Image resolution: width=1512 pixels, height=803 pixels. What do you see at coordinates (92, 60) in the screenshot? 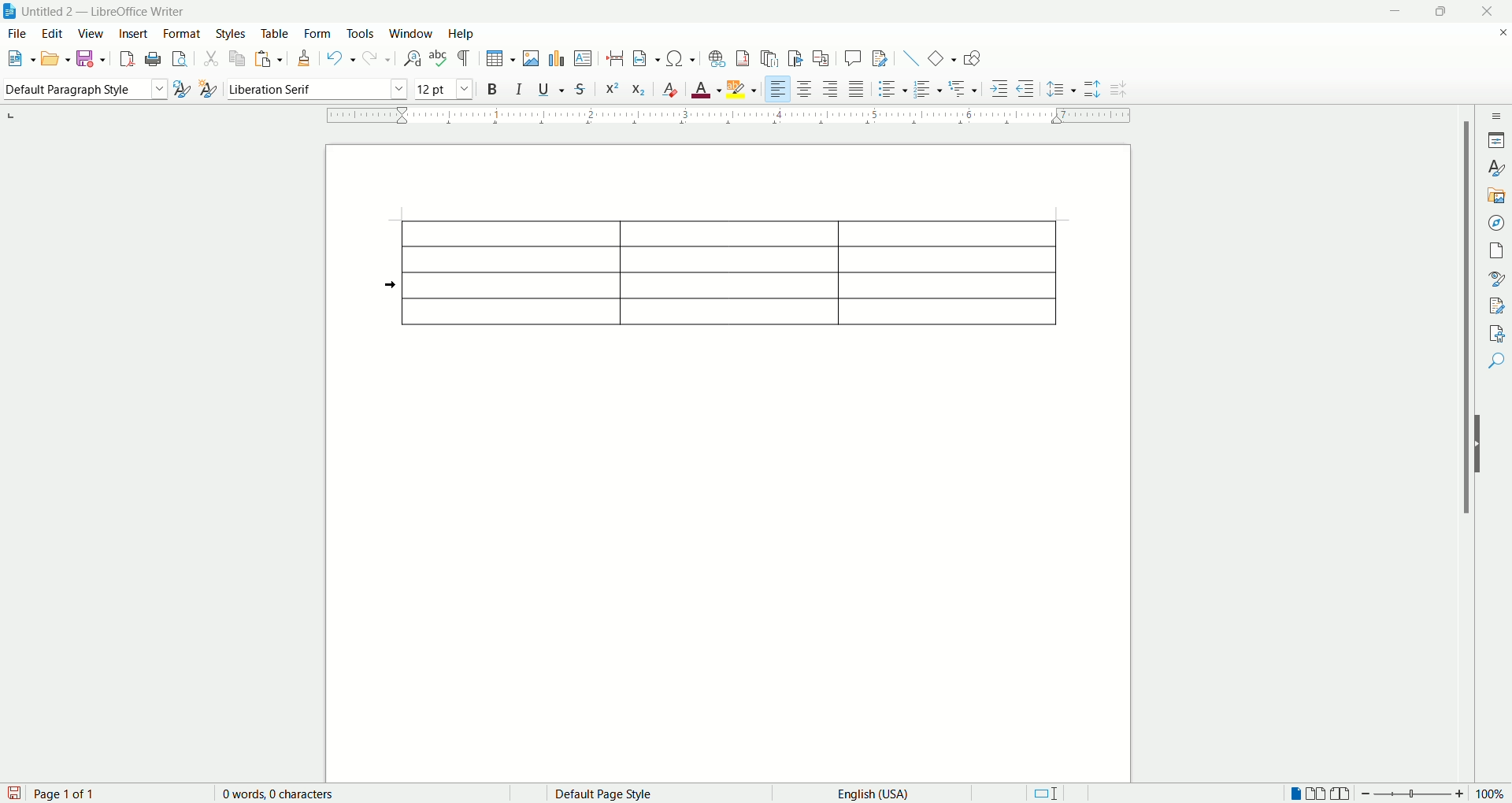
I see `save` at bounding box center [92, 60].